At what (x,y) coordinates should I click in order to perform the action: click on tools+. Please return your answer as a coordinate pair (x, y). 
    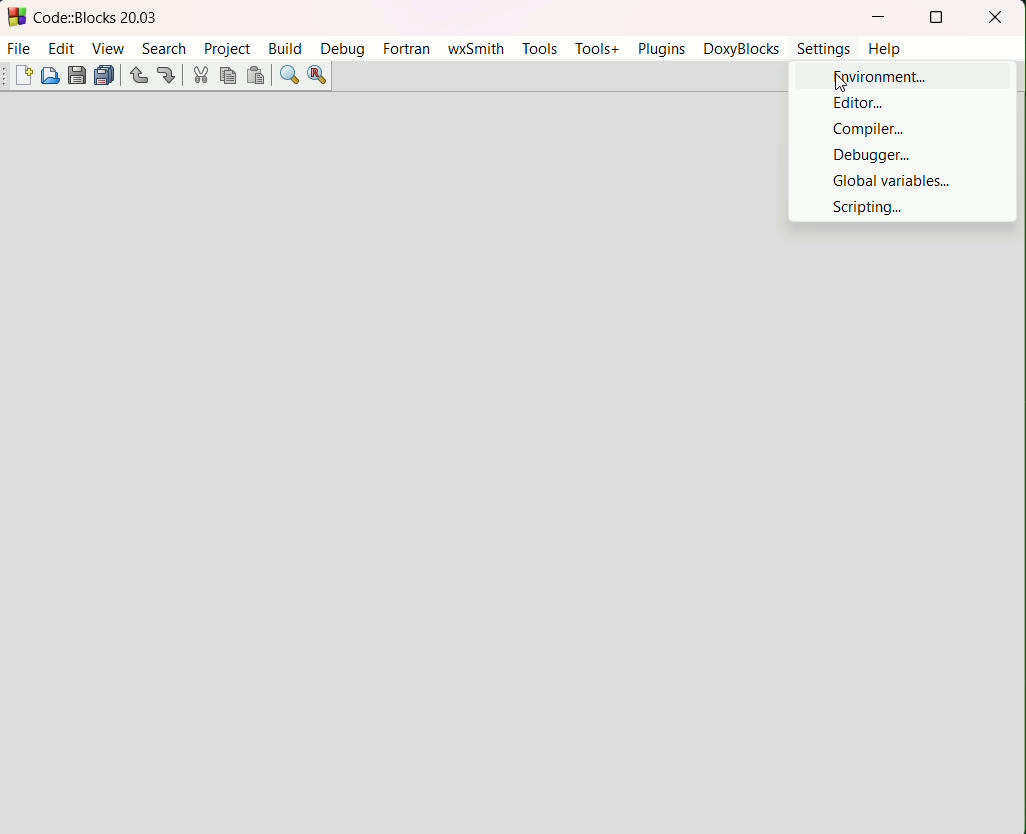
    Looking at the image, I should click on (596, 49).